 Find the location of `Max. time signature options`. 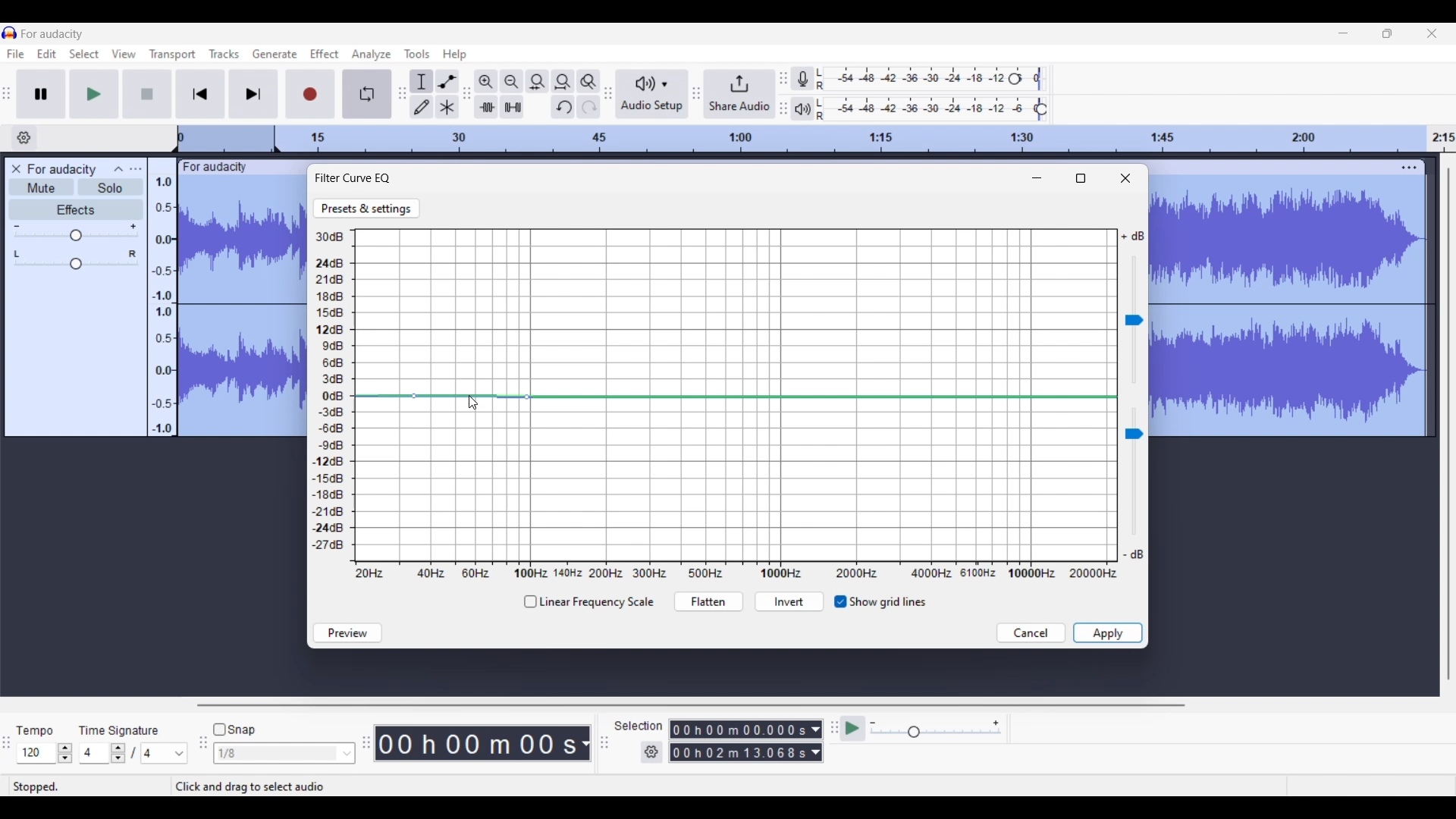

Max. time signature options is located at coordinates (165, 754).